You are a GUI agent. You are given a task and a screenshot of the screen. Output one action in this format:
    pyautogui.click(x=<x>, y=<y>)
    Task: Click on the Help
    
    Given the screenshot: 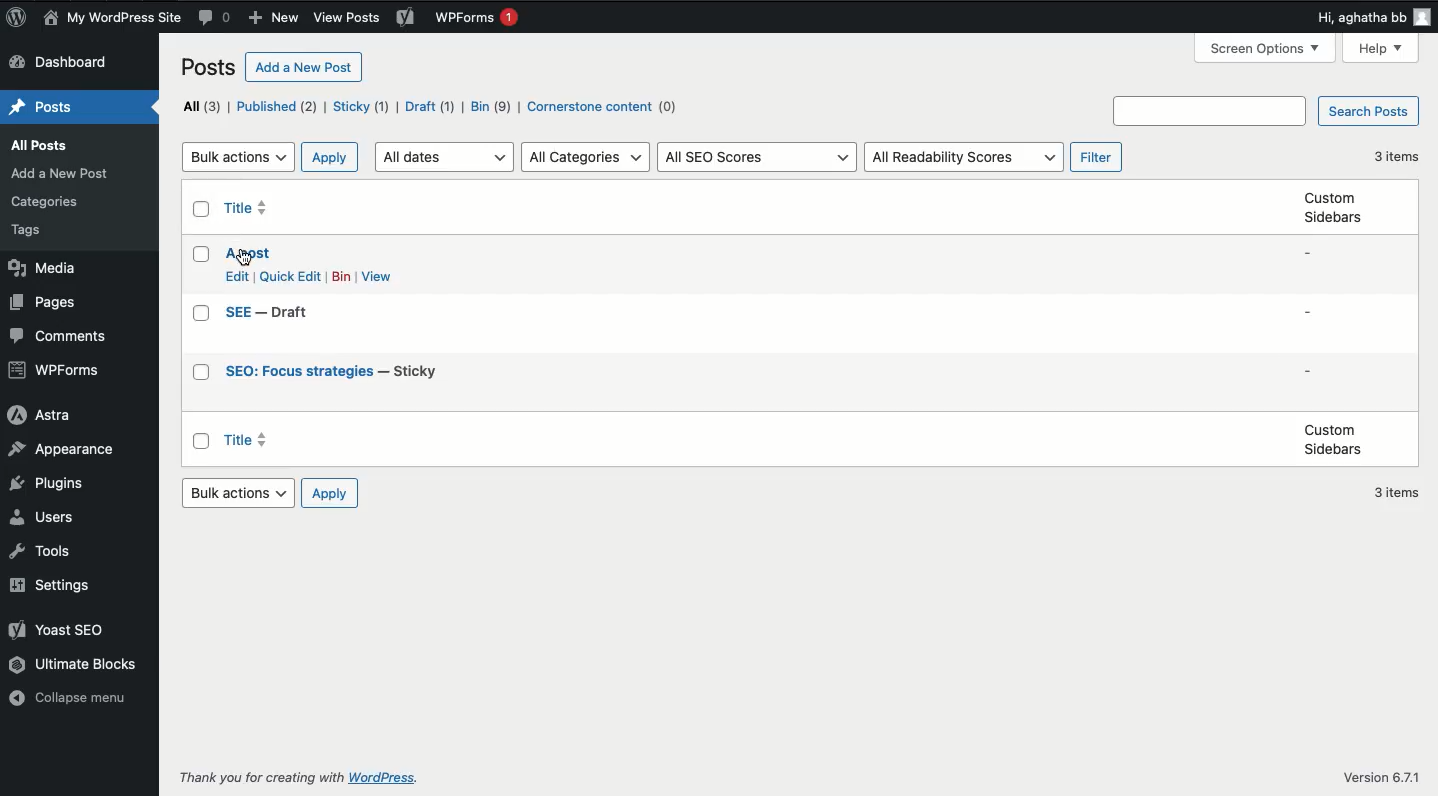 What is the action you would take?
    pyautogui.click(x=1381, y=47)
    